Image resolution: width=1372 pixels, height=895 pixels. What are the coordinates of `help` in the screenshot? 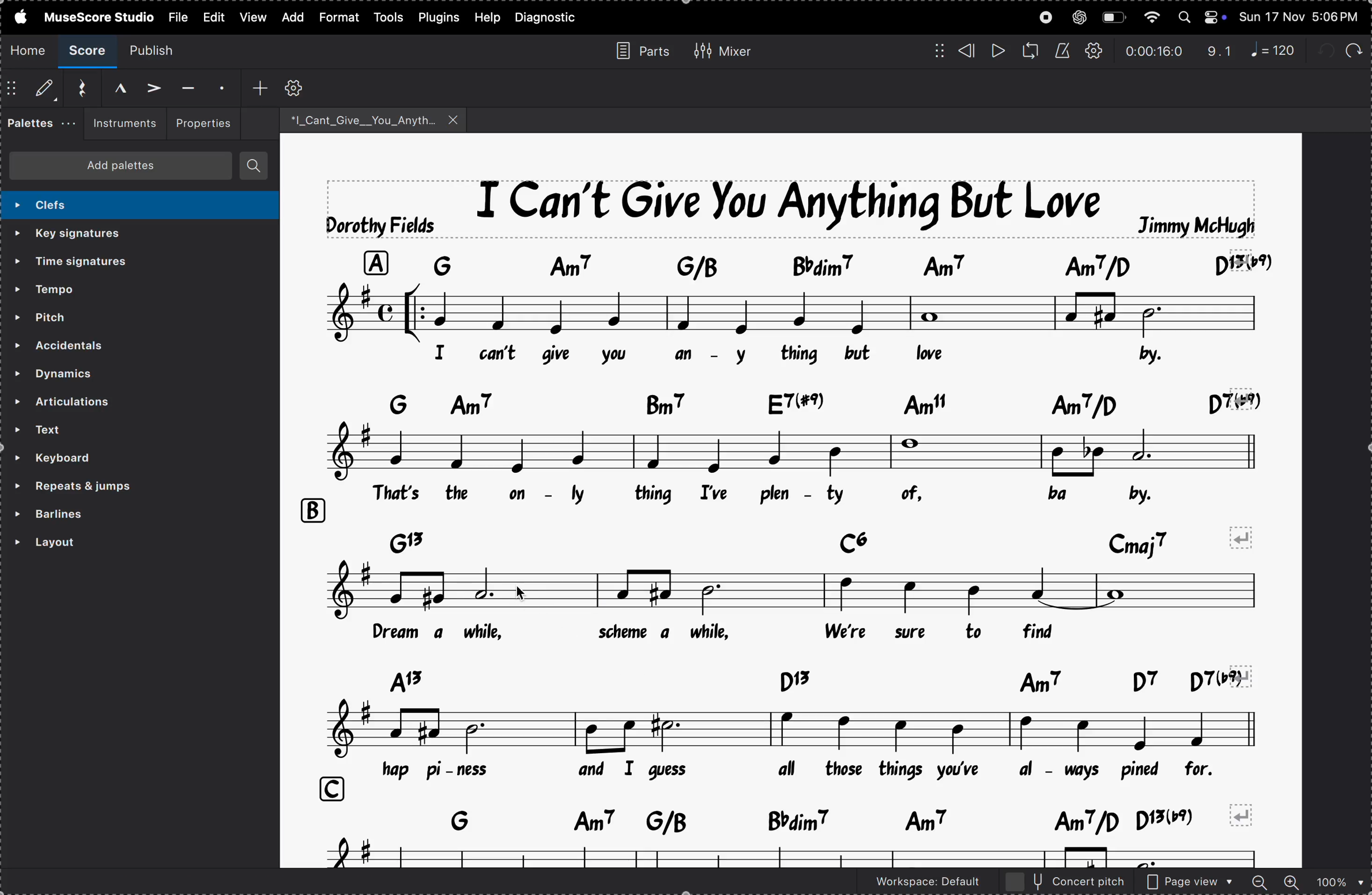 It's located at (487, 17).